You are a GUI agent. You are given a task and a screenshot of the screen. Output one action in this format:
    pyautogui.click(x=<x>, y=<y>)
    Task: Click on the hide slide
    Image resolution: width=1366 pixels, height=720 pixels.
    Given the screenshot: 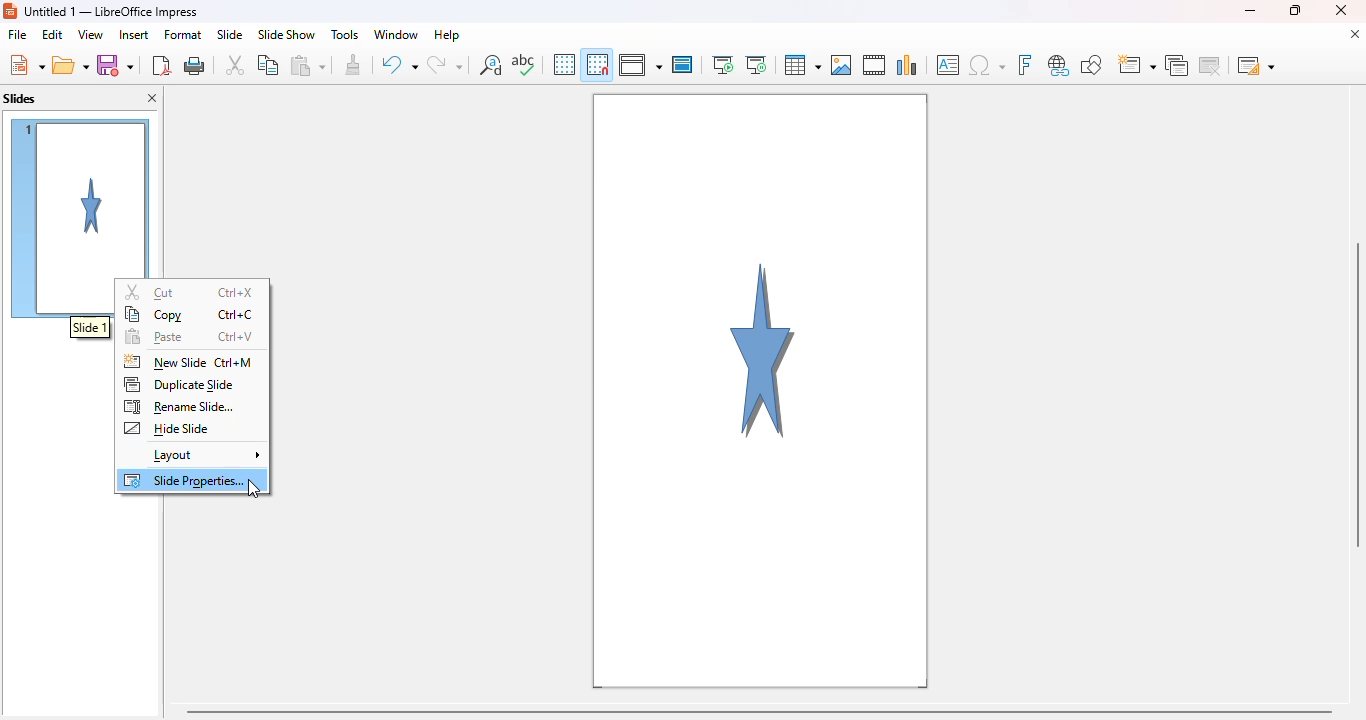 What is the action you would take?
    pyautogui.click(x=166, y=428)
    